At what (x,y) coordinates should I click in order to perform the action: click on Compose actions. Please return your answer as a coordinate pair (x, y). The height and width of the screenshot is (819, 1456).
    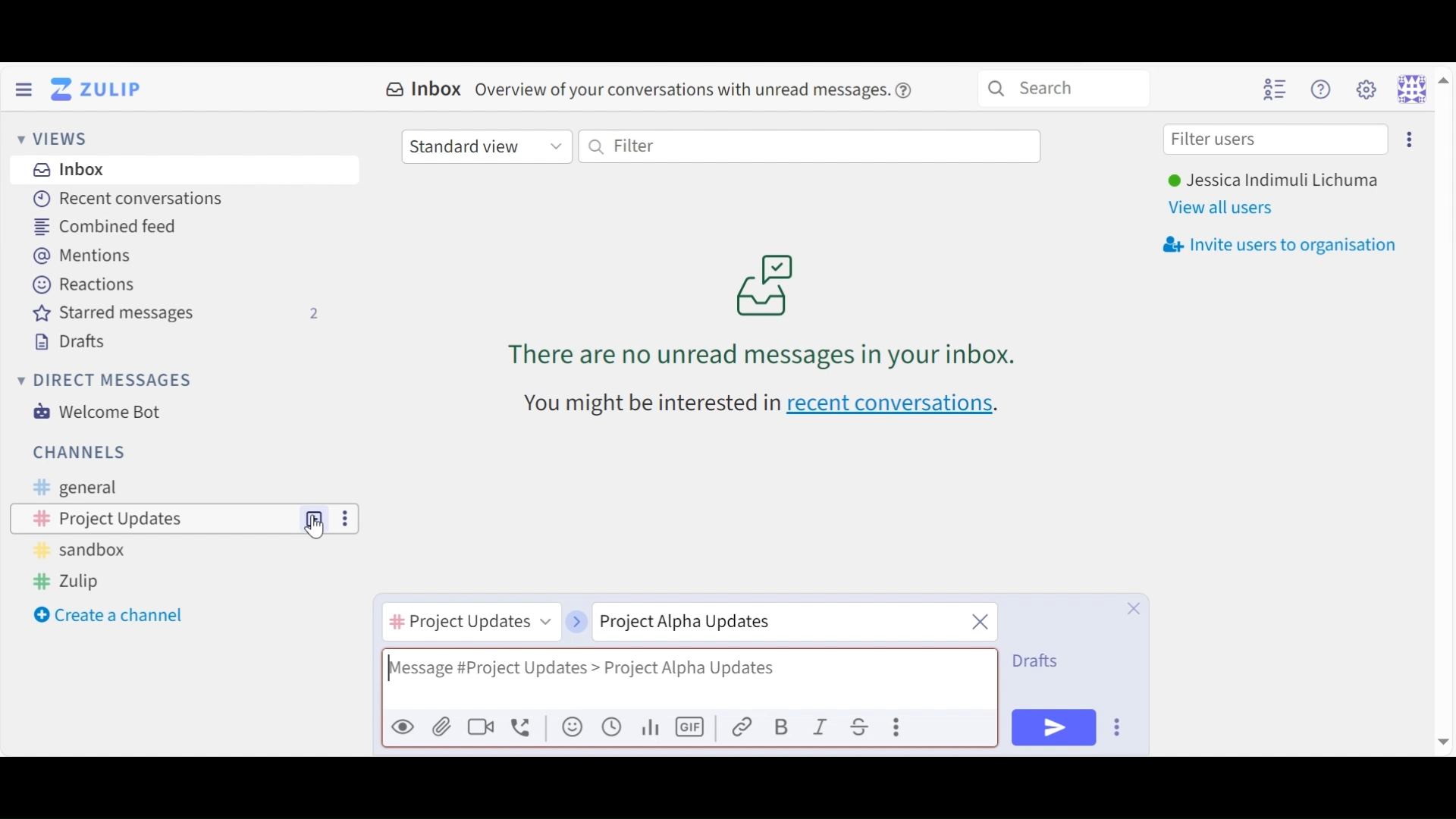
    Looking at the image, I should click on (898, 726).